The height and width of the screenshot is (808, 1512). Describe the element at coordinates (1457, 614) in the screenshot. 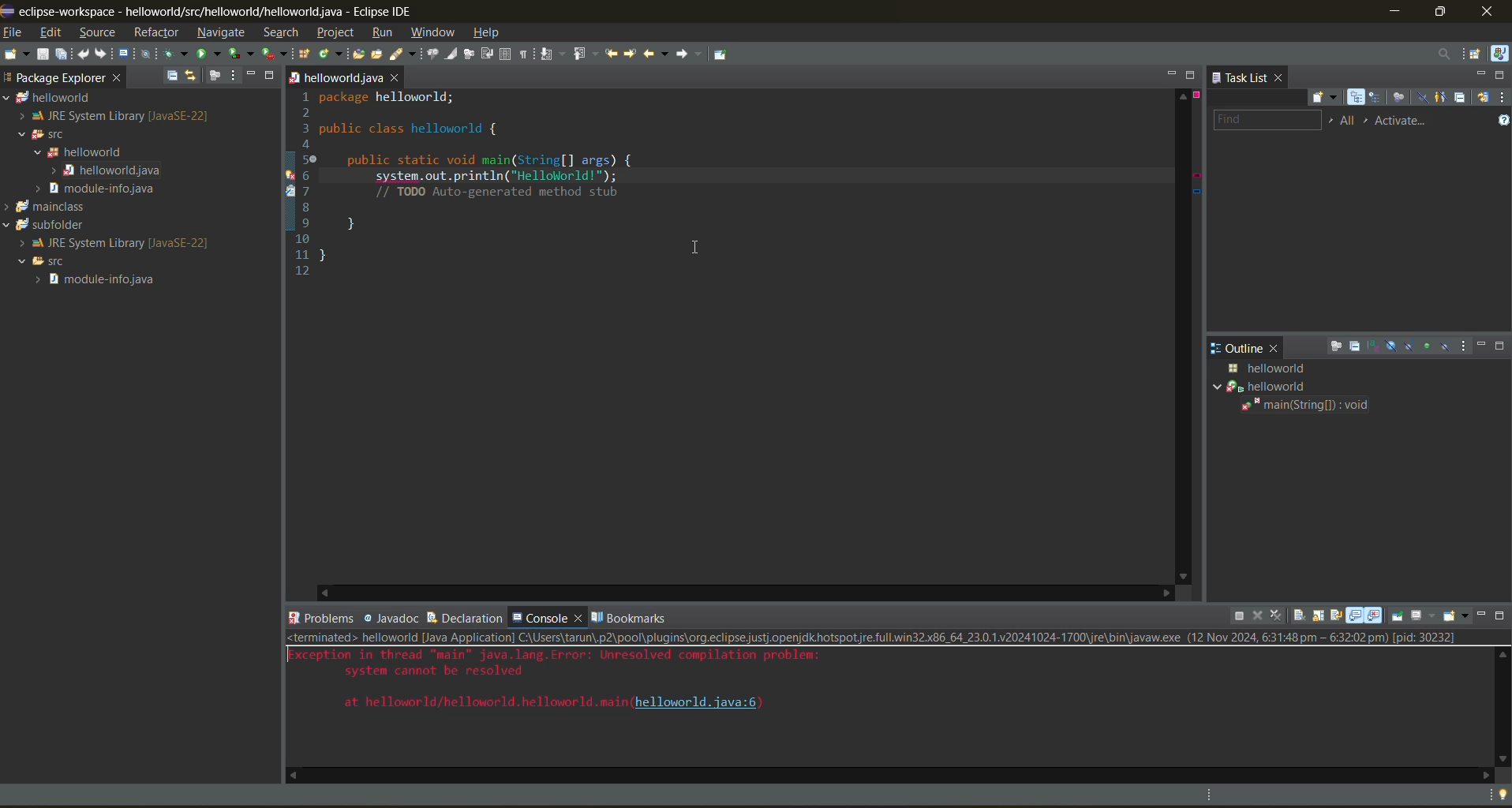

I see `open  console` at that location.